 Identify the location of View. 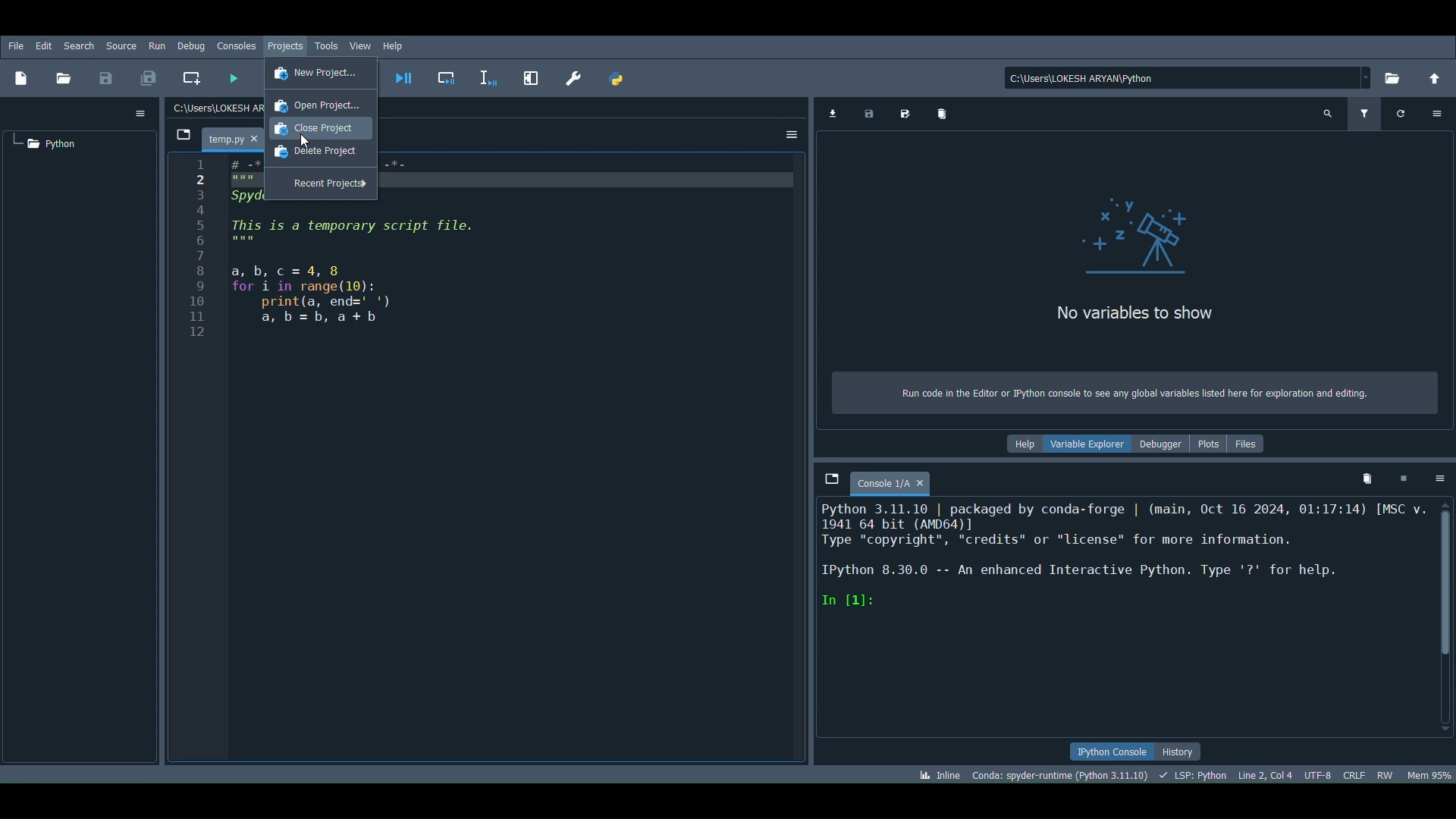
(359, 45).